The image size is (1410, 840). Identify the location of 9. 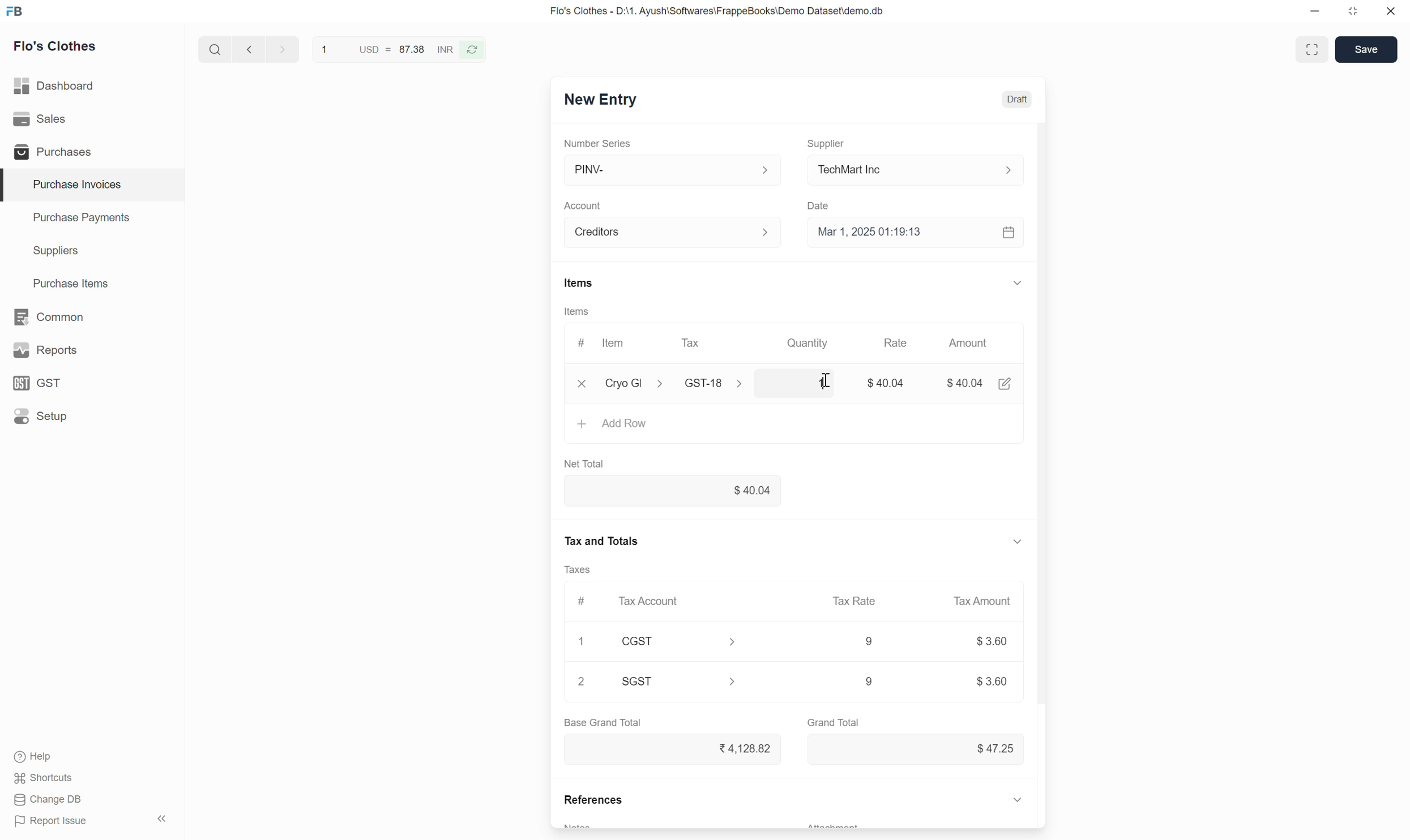
(866, 642).